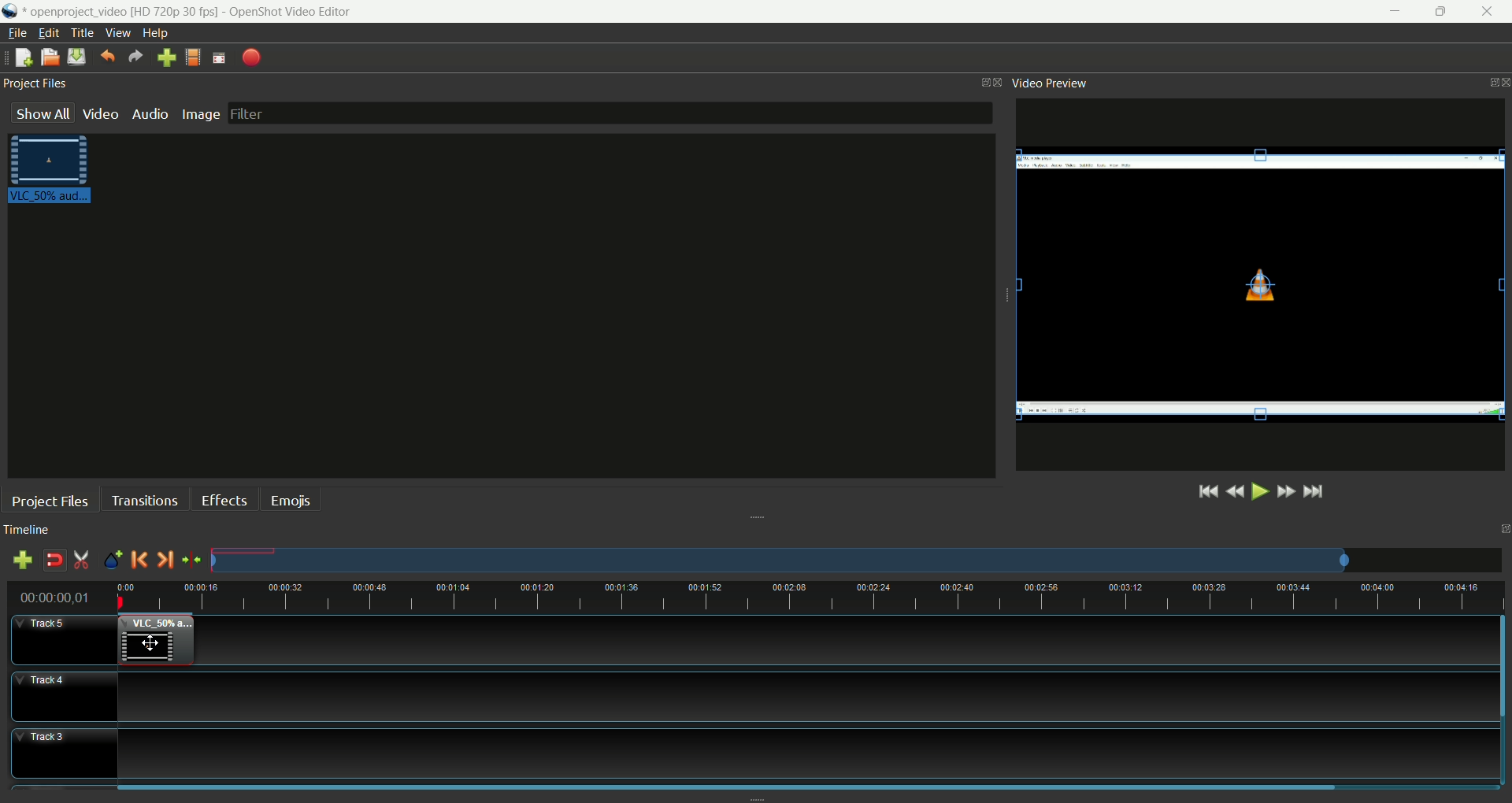 Image resolution: width=1512 pixels, height=803 pixels. What do you see at coordinates (291, 498) in the screenshot?
I see `emojis` at bounding box center [291, 498].